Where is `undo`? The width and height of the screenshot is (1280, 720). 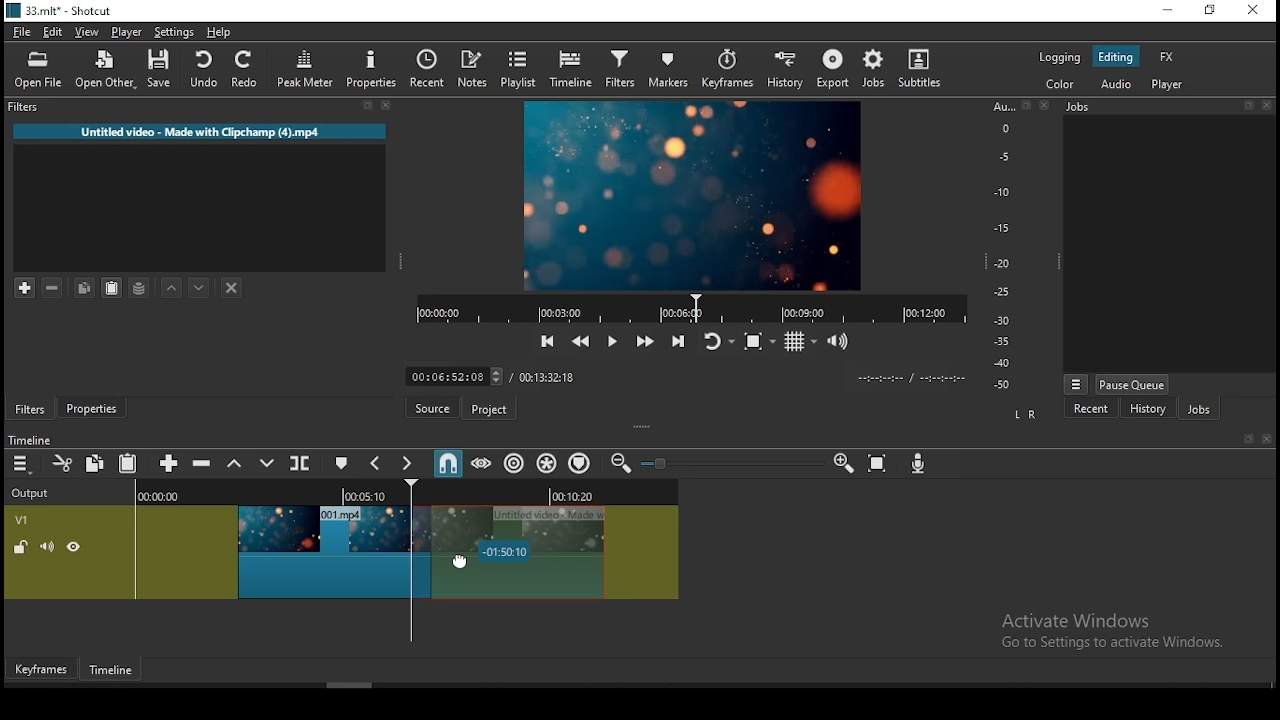
undo is located at coordinates (206, 70).